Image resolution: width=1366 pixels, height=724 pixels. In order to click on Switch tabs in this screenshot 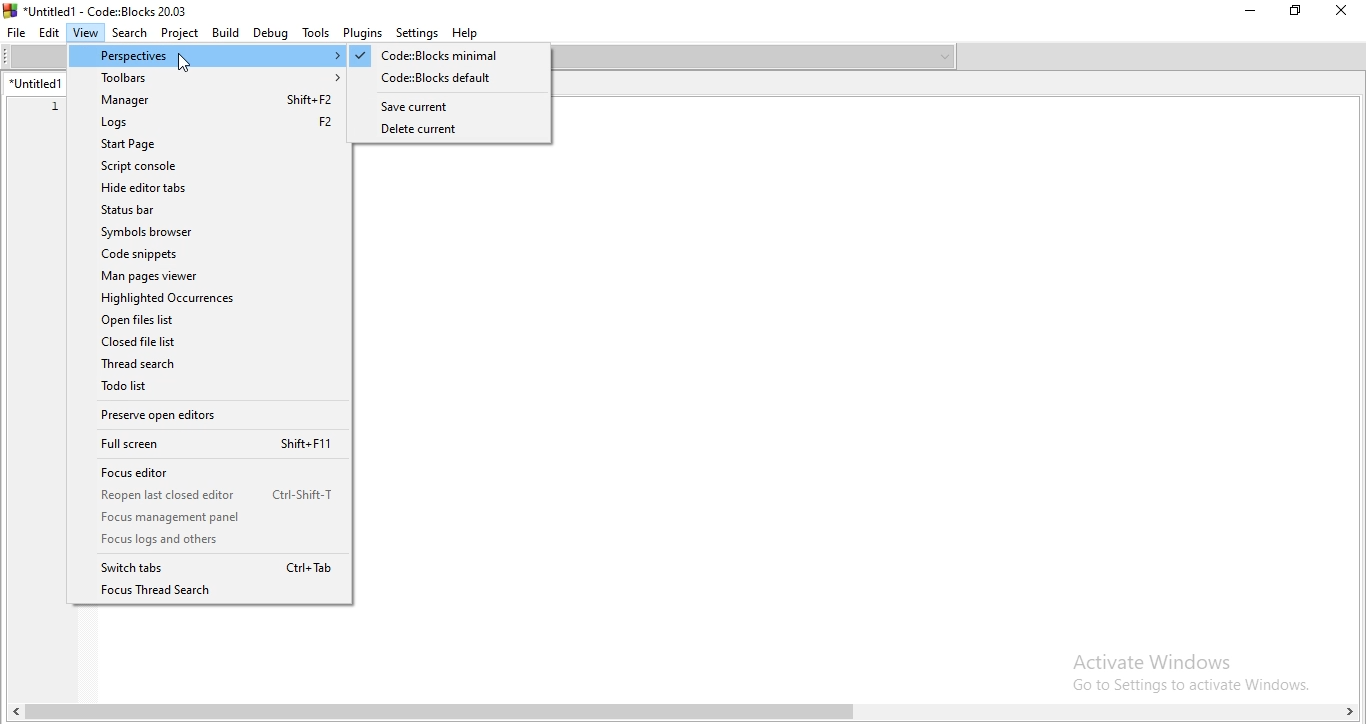, I will do `click(208, 569)`.